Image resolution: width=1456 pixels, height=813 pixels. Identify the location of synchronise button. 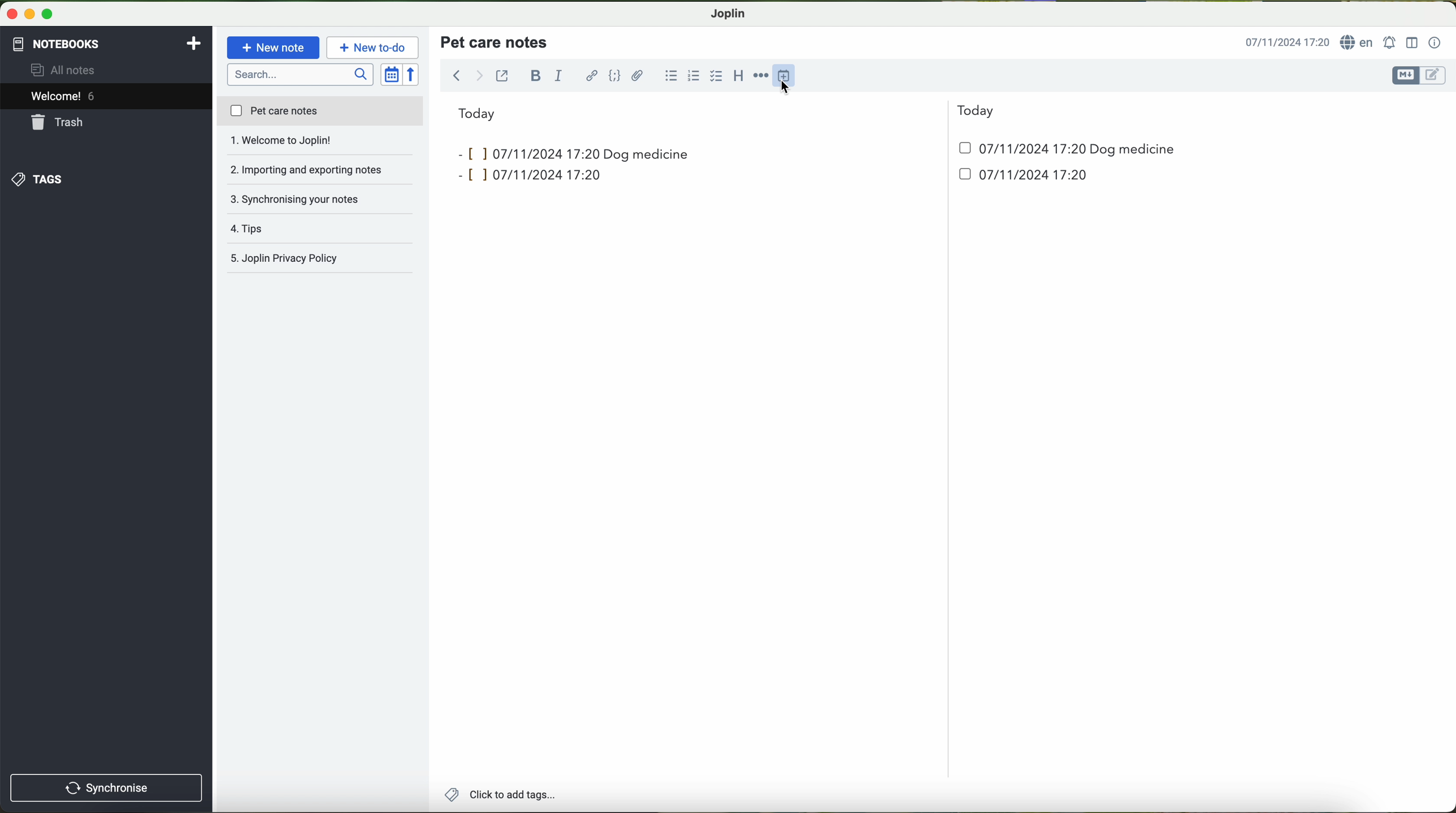
(106, 788).